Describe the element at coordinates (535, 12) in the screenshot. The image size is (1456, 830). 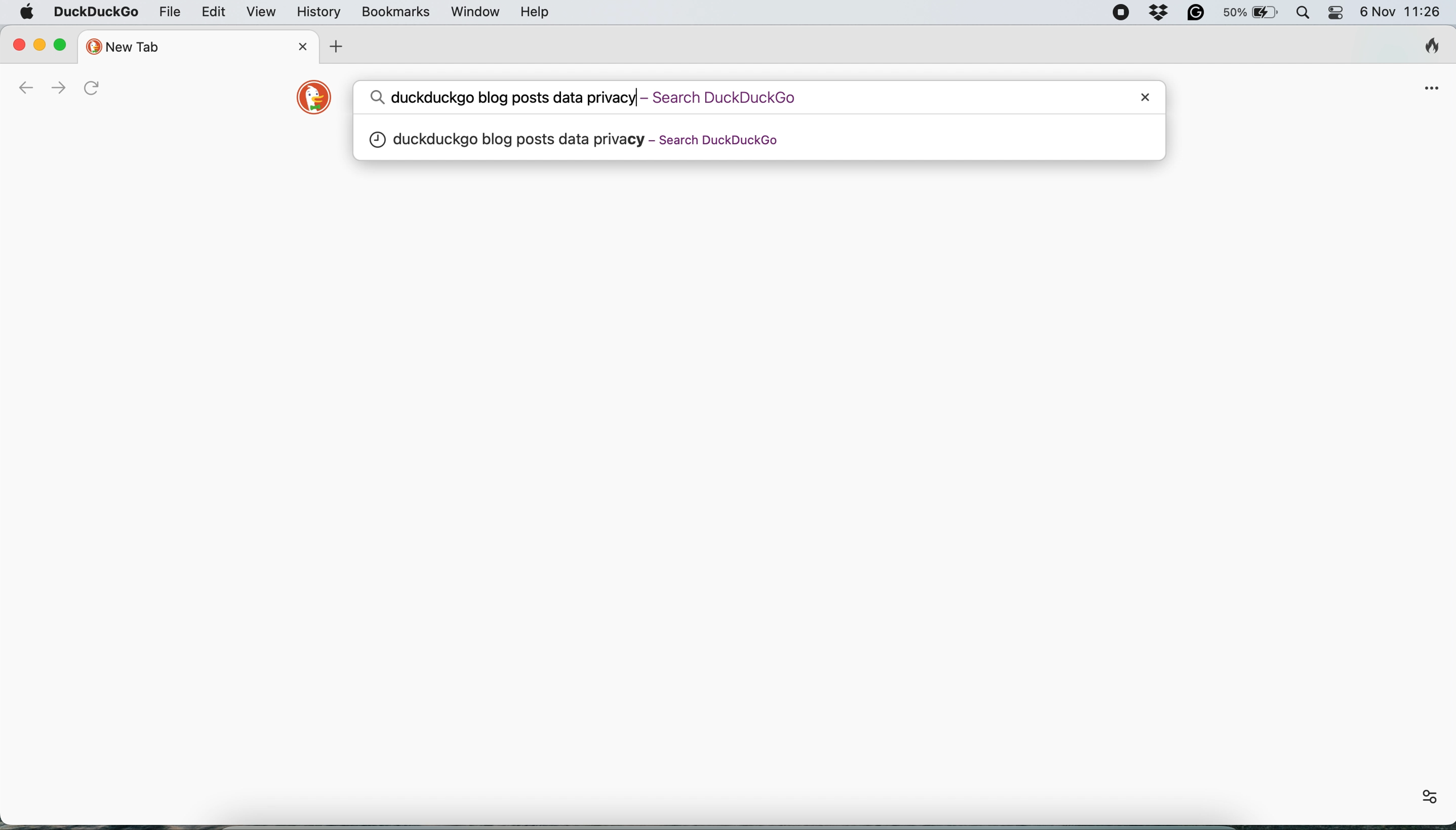
I see `help` at that location.